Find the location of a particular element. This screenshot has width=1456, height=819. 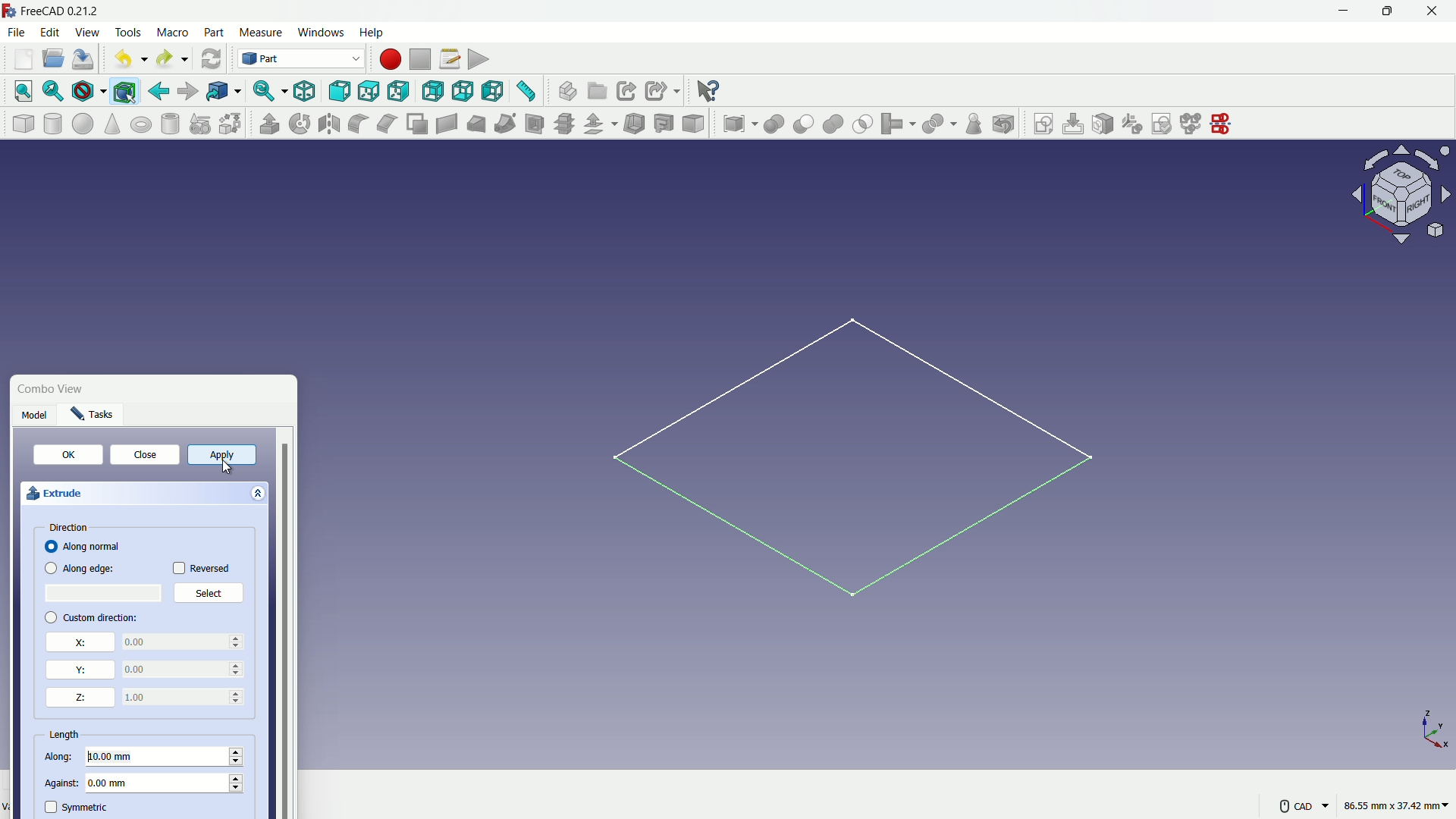

bottom view is located at coordinates (463, 90).